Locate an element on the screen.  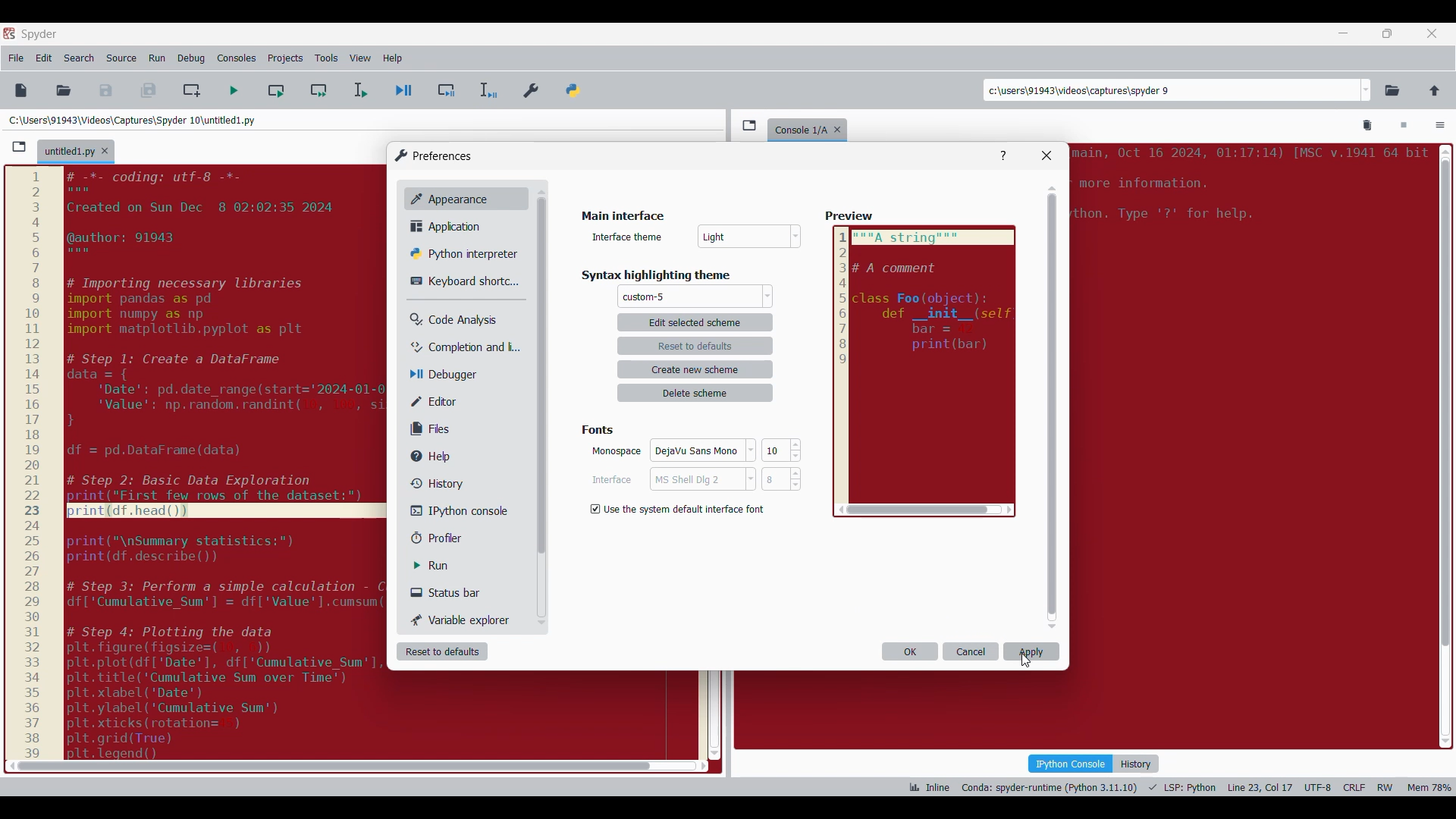
fonts is located at coordinates (601, 428).